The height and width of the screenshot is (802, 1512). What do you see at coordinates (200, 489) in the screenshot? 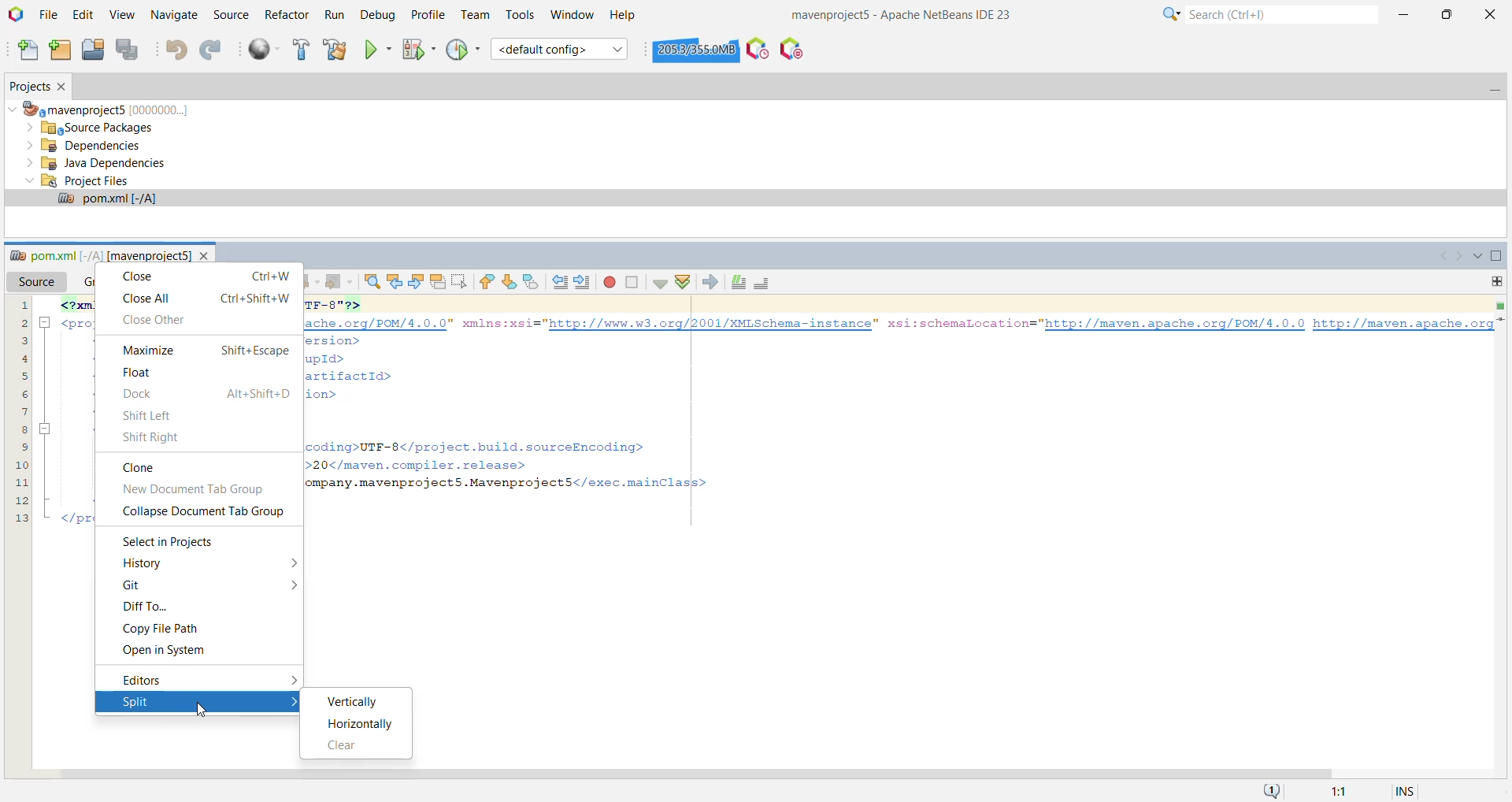
I see `New Document Tab Group` at bounding box center [200, 489].